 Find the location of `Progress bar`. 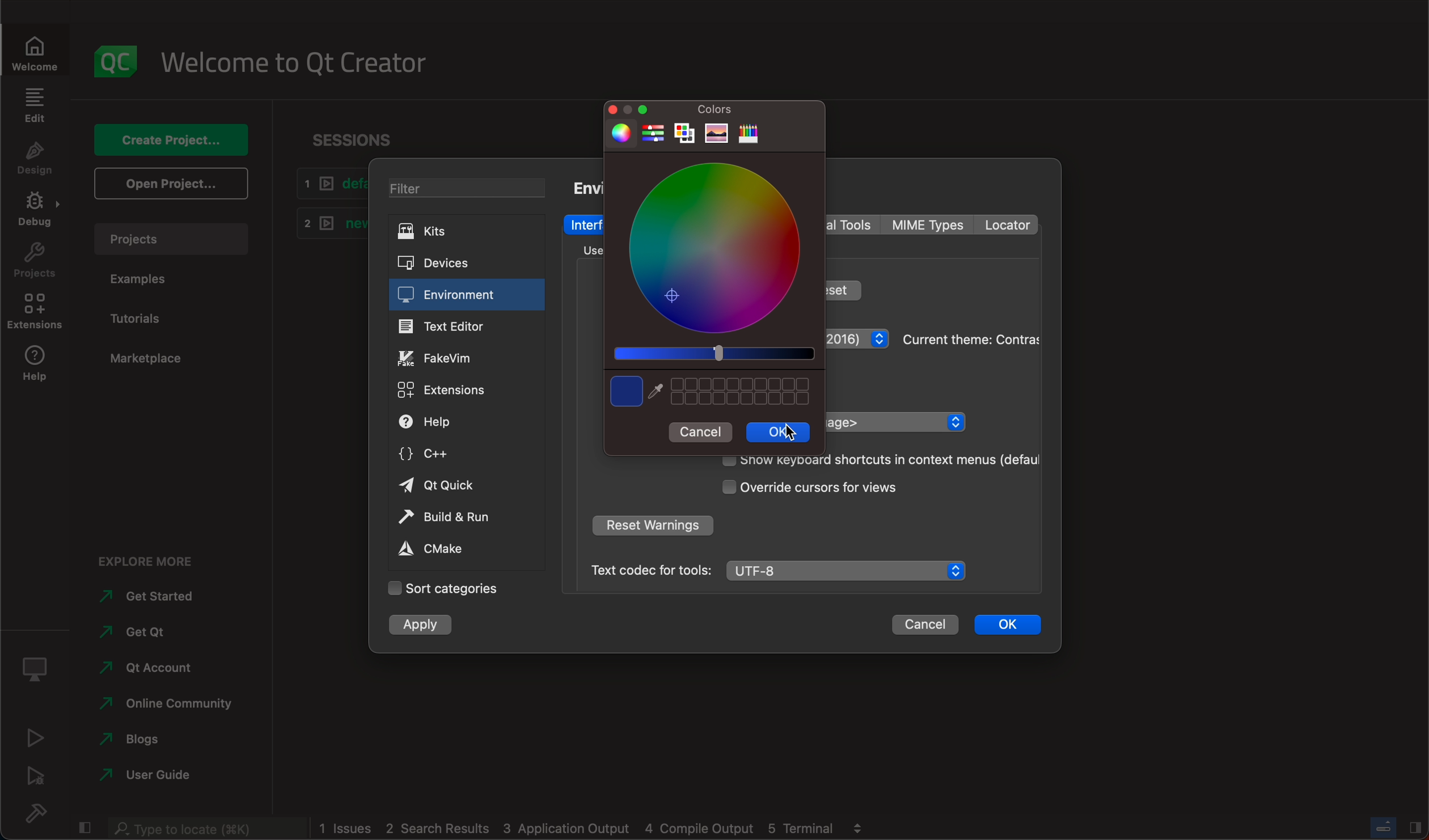

Progress bar is located at coordinates (1384, 827).